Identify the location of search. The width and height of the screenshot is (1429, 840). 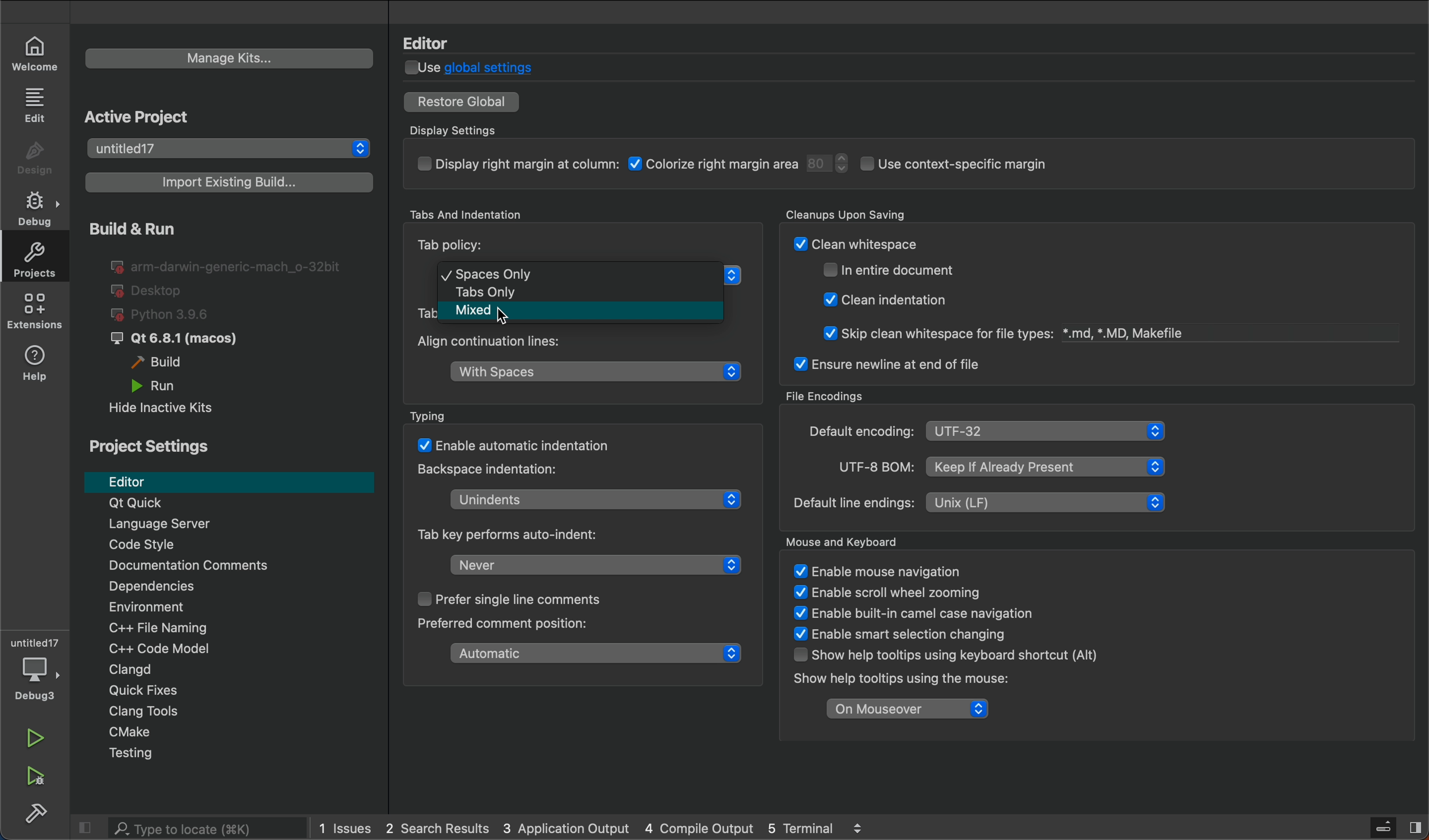
(189, 828).